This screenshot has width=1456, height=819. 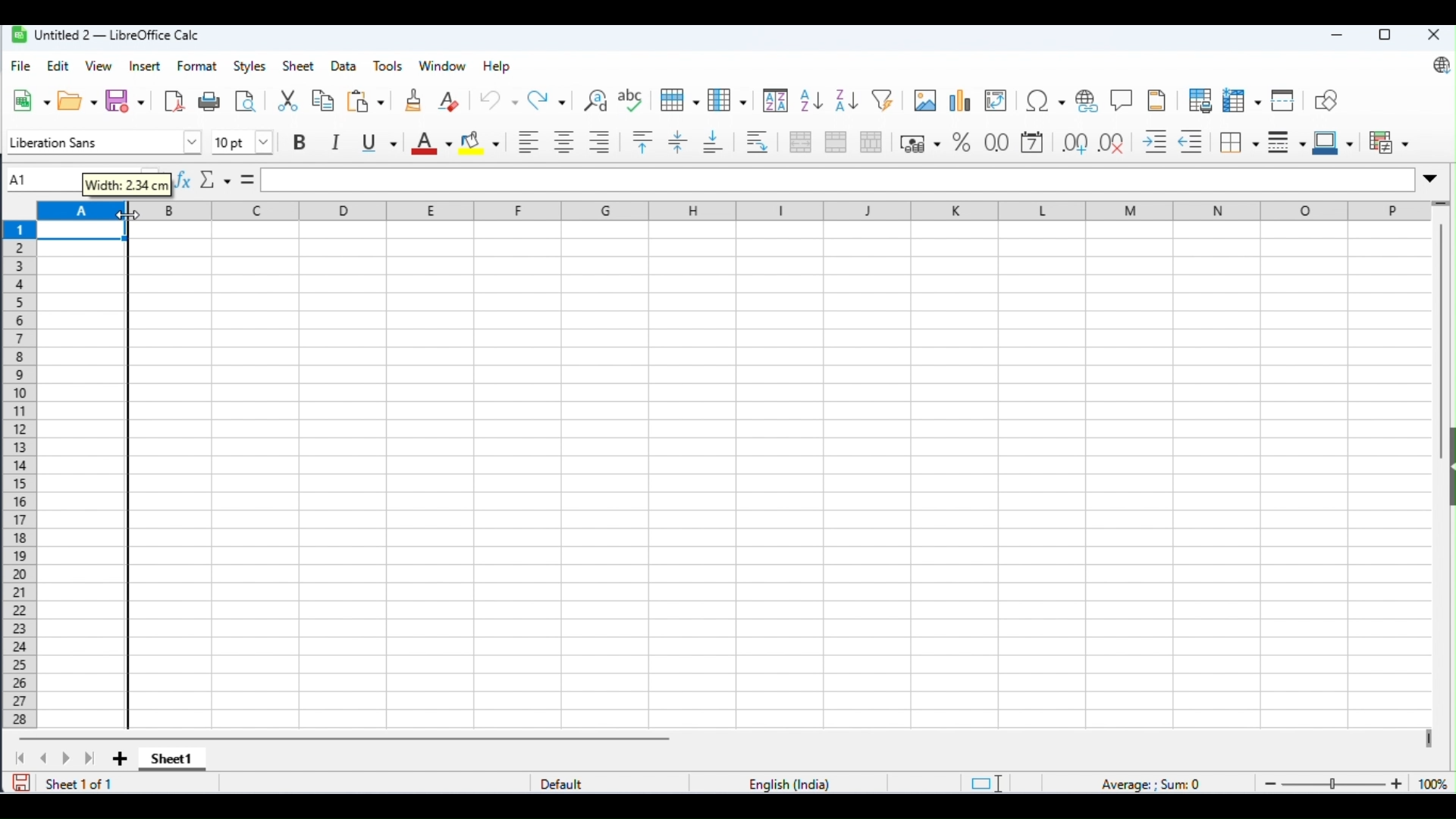 I want to click on next sheet, so click(x=65, y=758).